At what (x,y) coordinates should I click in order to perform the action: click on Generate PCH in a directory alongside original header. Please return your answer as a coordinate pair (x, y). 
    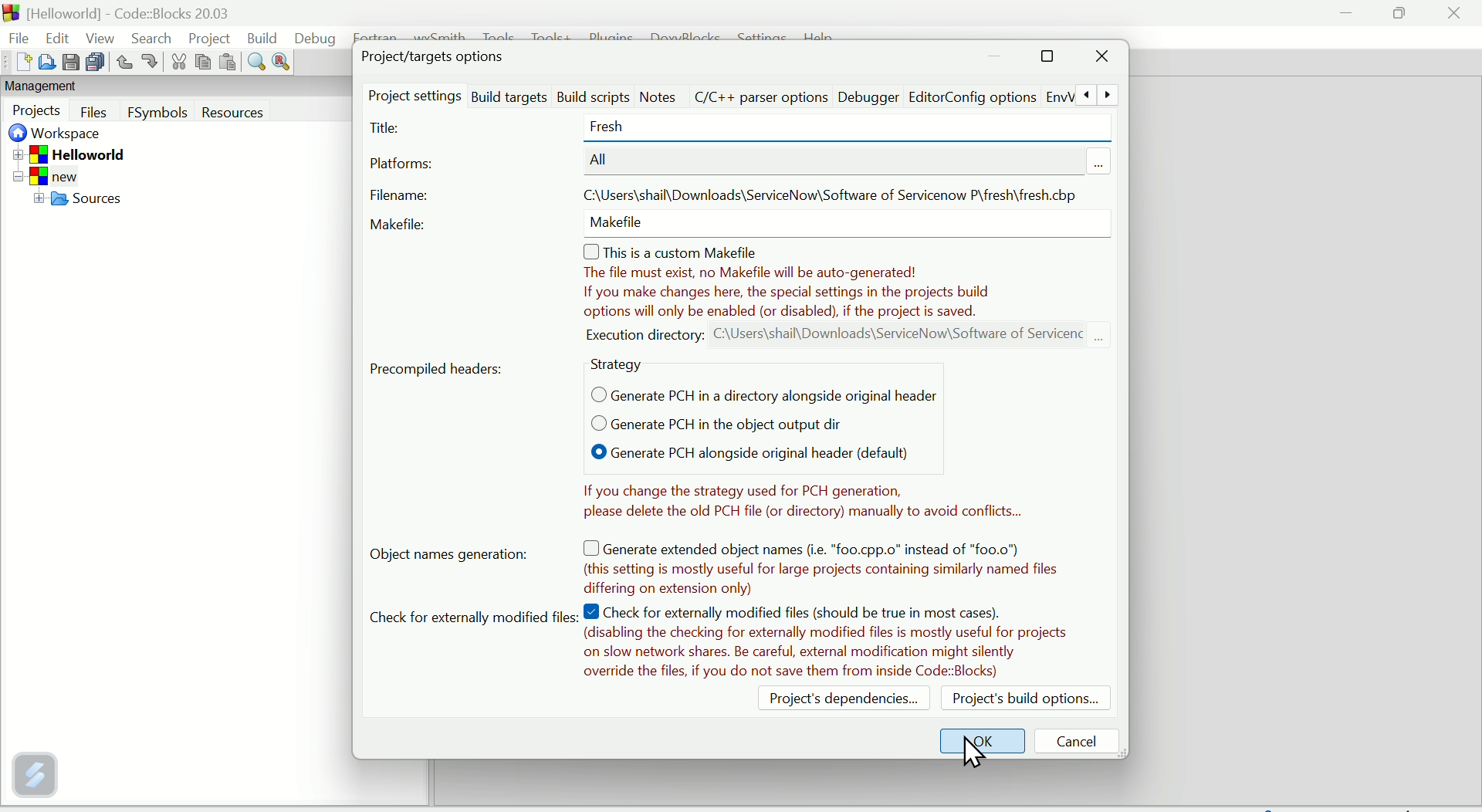
    Looking at the image, I should click on (758, 394).